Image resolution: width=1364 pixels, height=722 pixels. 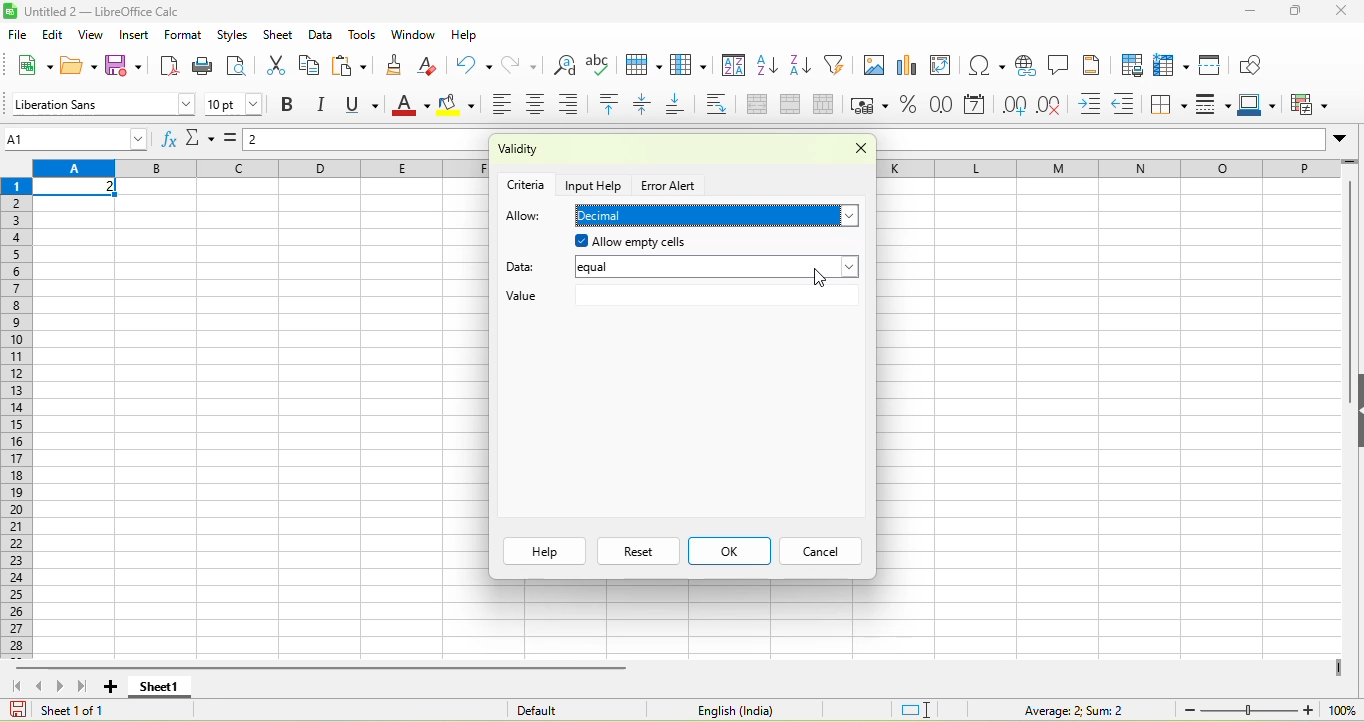 What do you see at coordinates (690, 242) in the screenshot?
I see `allow empty cells` at bounding box center [690, 242].